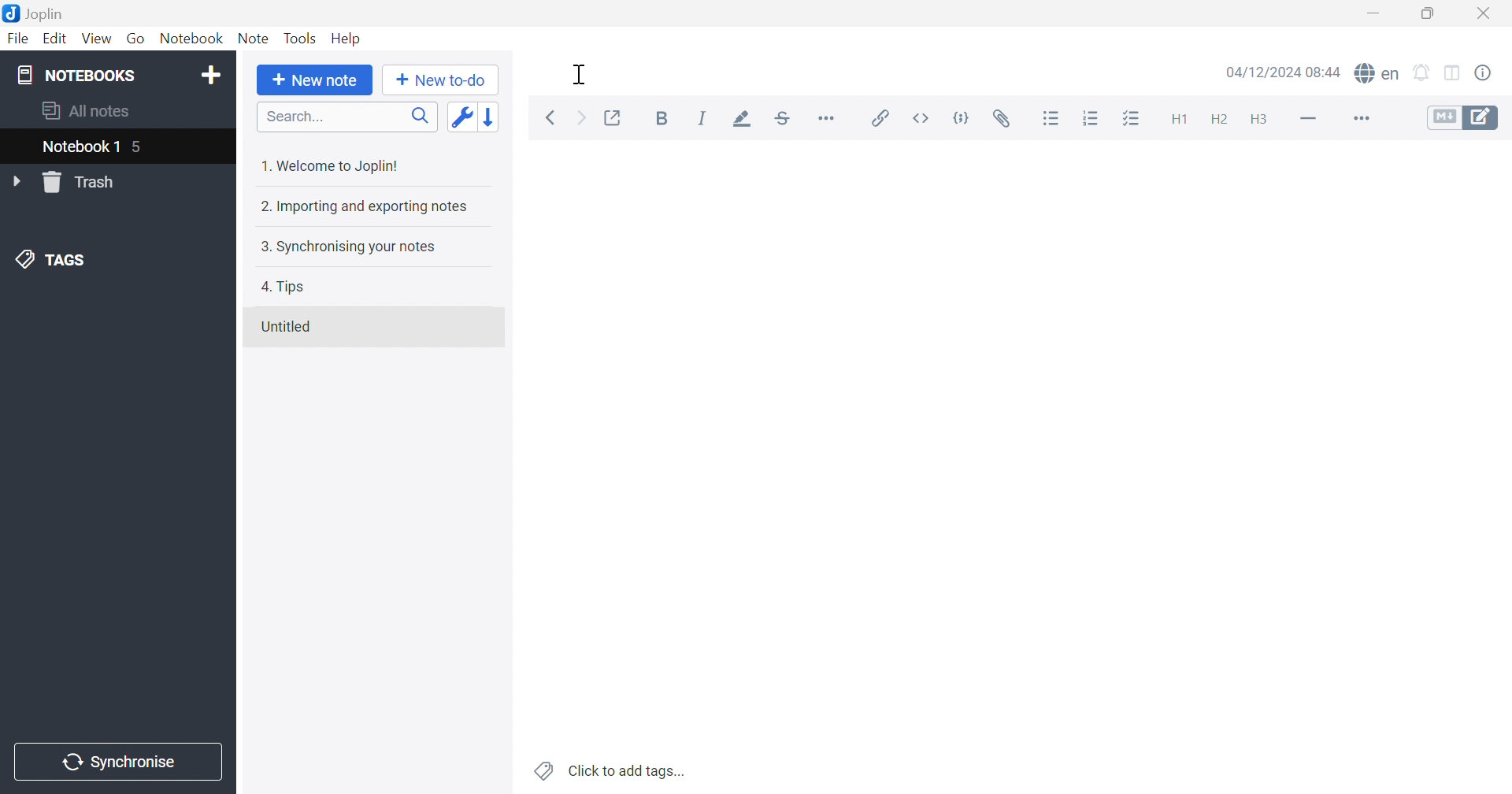 The width and height of the screenshot is (1512, 794). Describe the element at coordinates (213, 74) in the screenshot. I see `Add notebook` at that location.